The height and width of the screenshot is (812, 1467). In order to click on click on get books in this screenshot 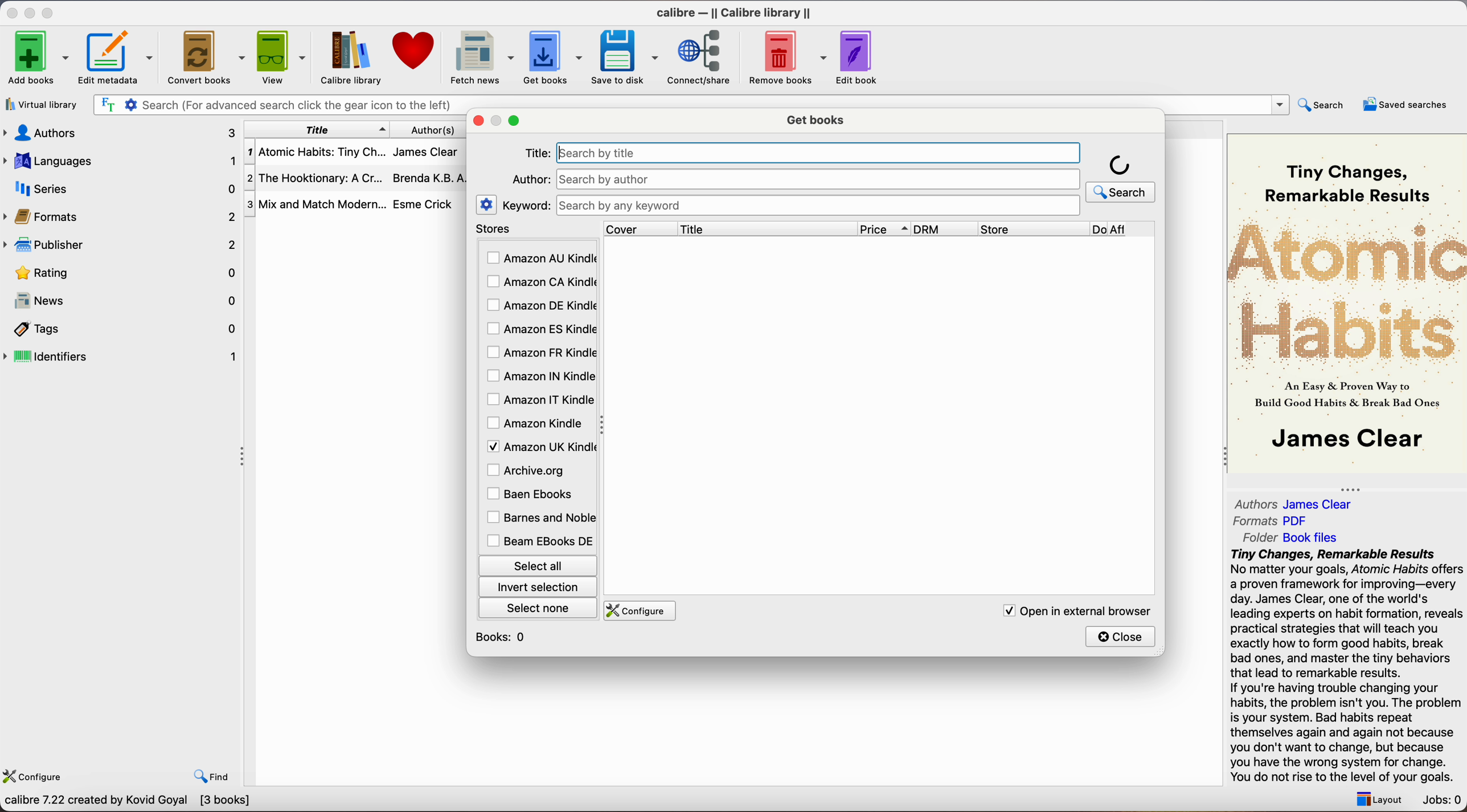, I will do `click(544, 56)`.